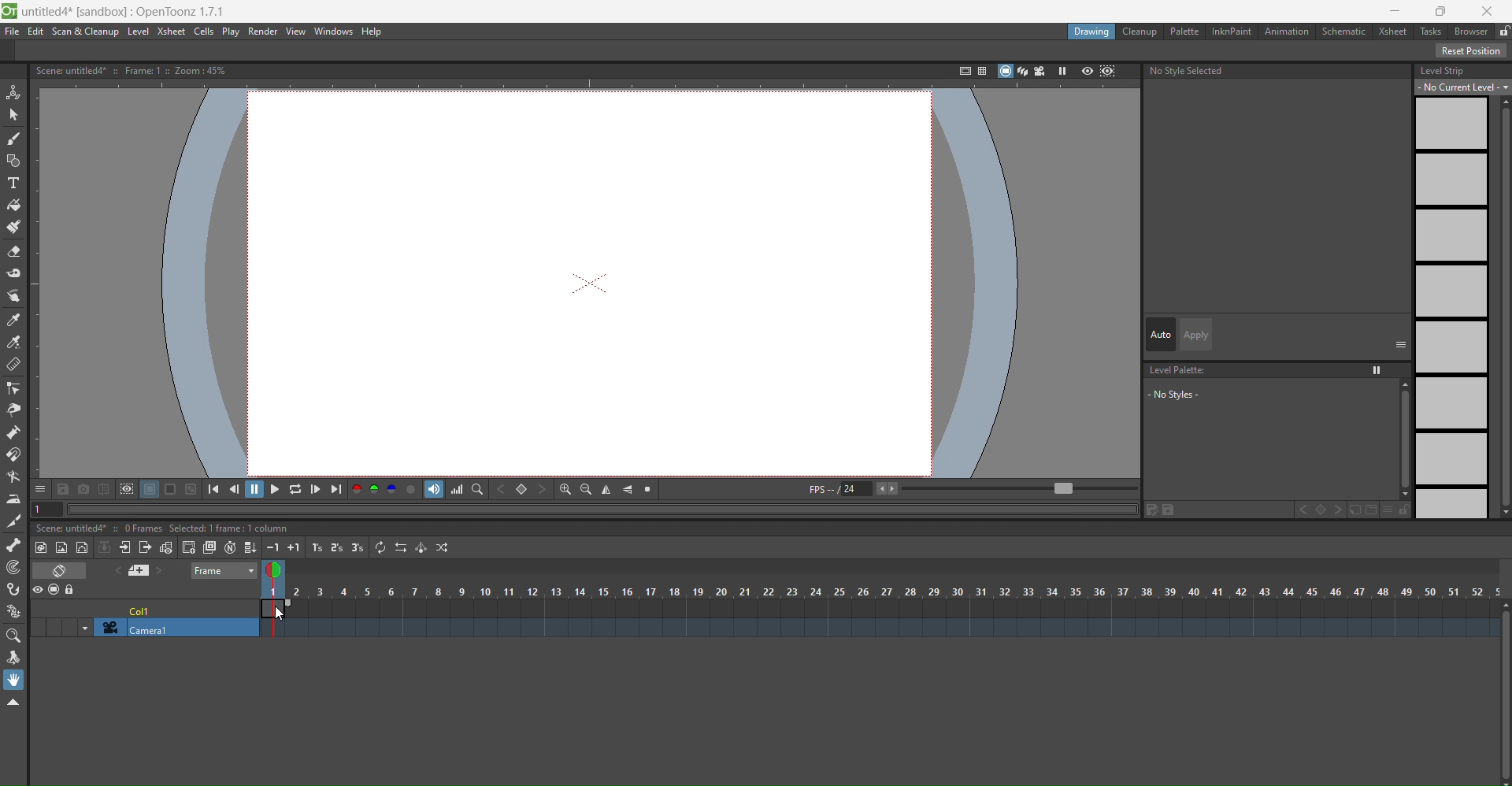 This screenshot has width=1512, height=786. I want to click on level strips, so click(1451, 308).